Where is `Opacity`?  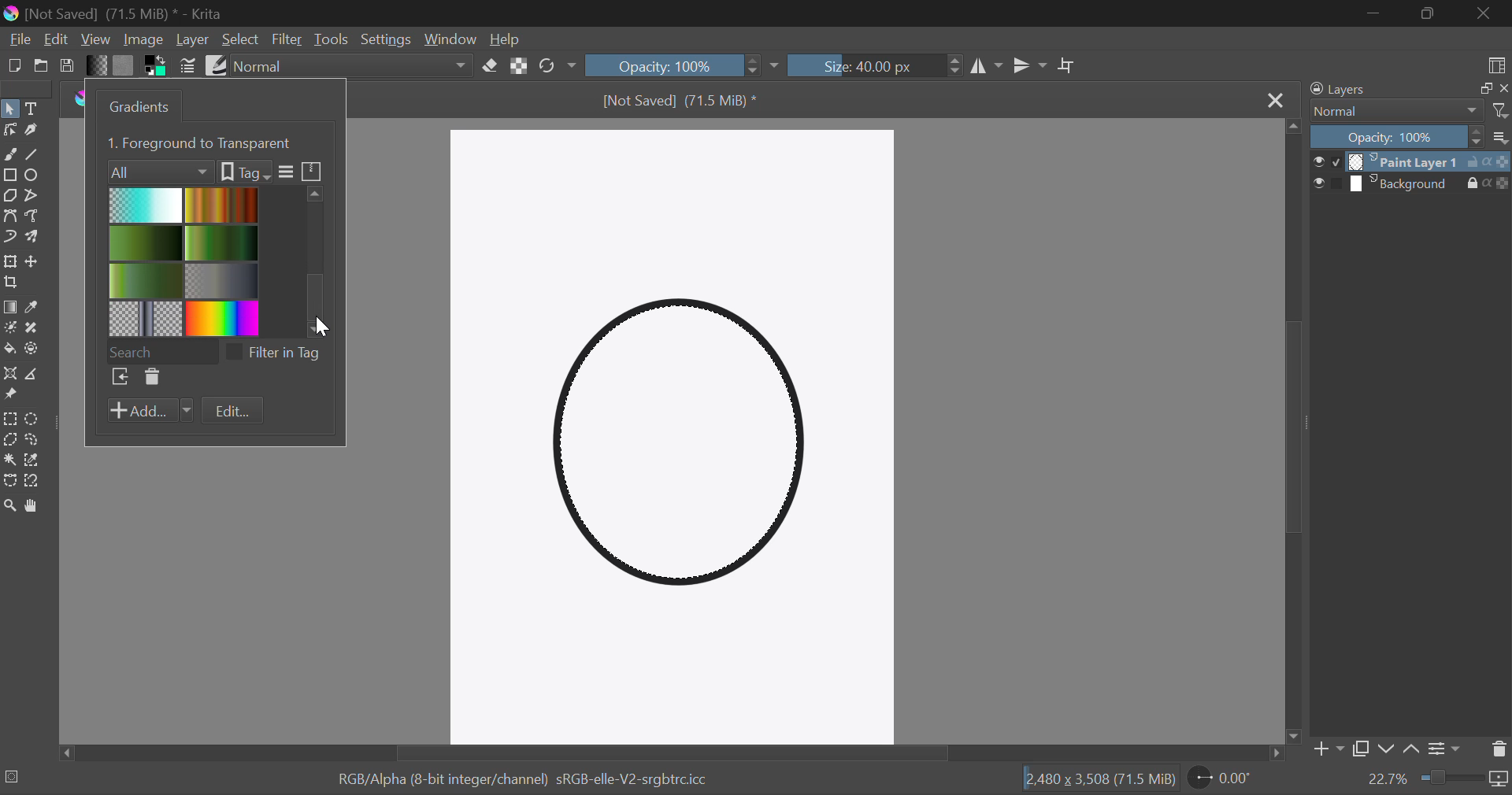 Opacity is located at coordinates (1395, 138).